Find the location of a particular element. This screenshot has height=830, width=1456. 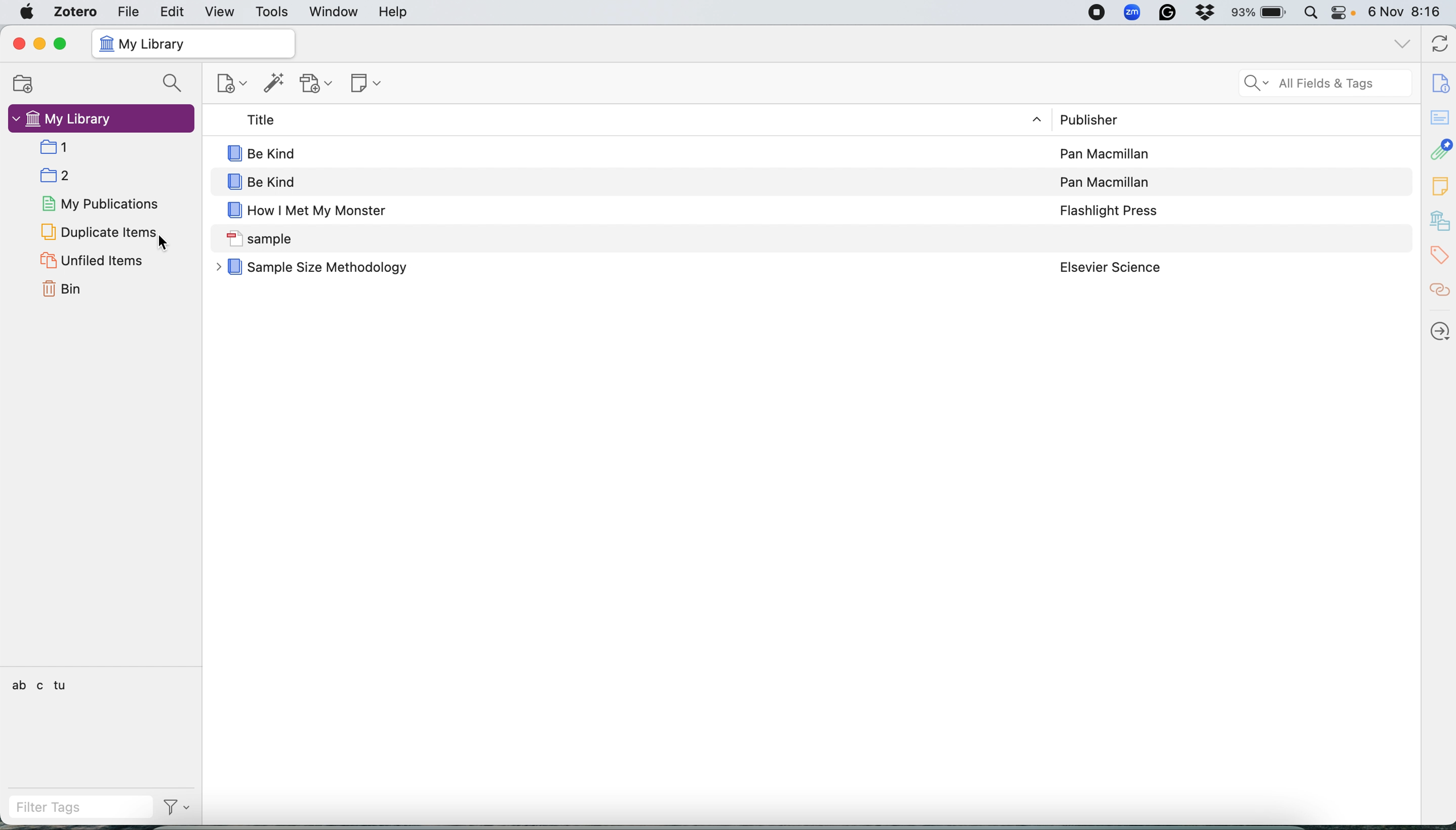

unfiled items is located at coordinates (91, 261).